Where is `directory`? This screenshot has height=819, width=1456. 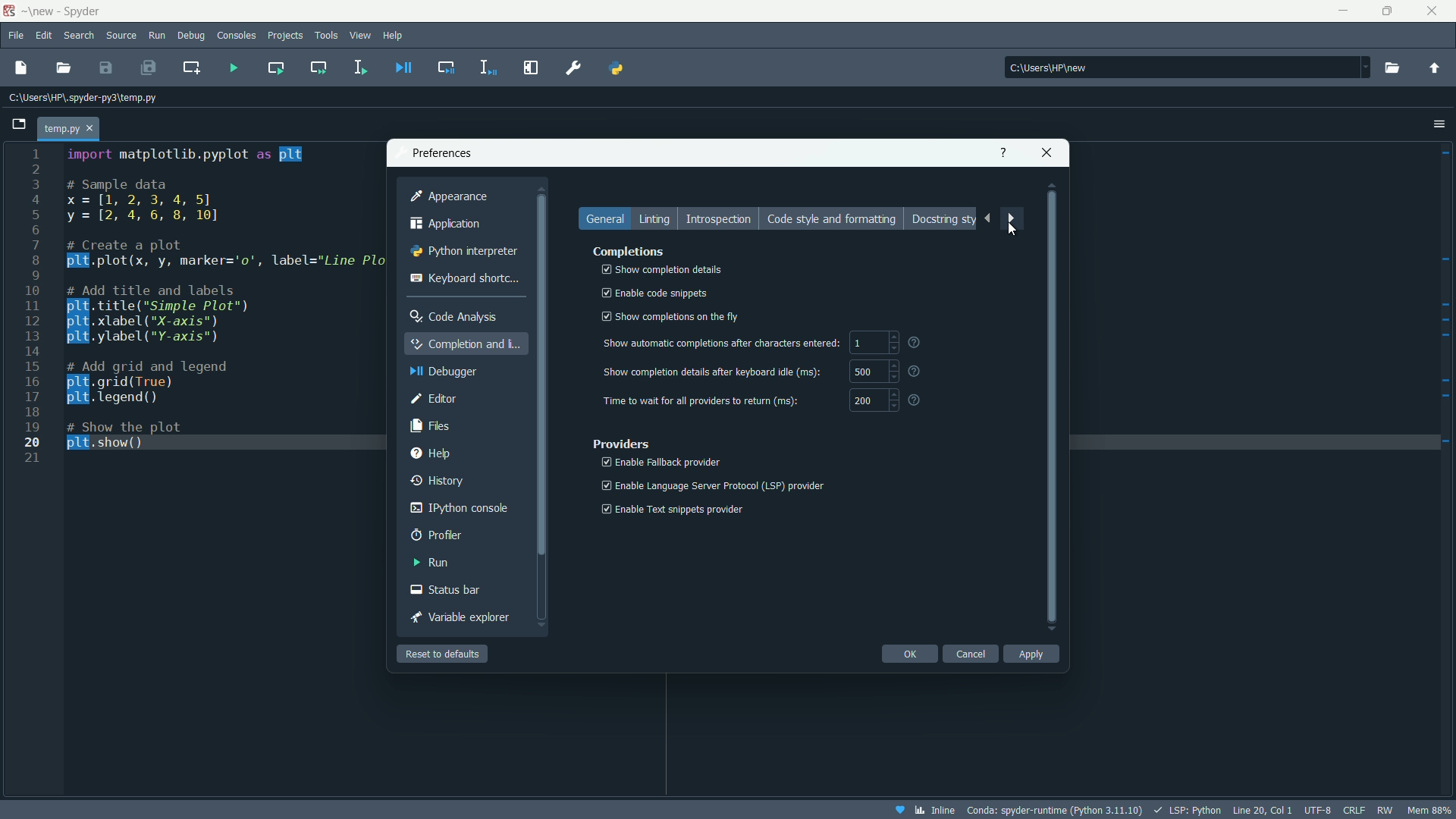
directory is located at coordinates (1188, 66).